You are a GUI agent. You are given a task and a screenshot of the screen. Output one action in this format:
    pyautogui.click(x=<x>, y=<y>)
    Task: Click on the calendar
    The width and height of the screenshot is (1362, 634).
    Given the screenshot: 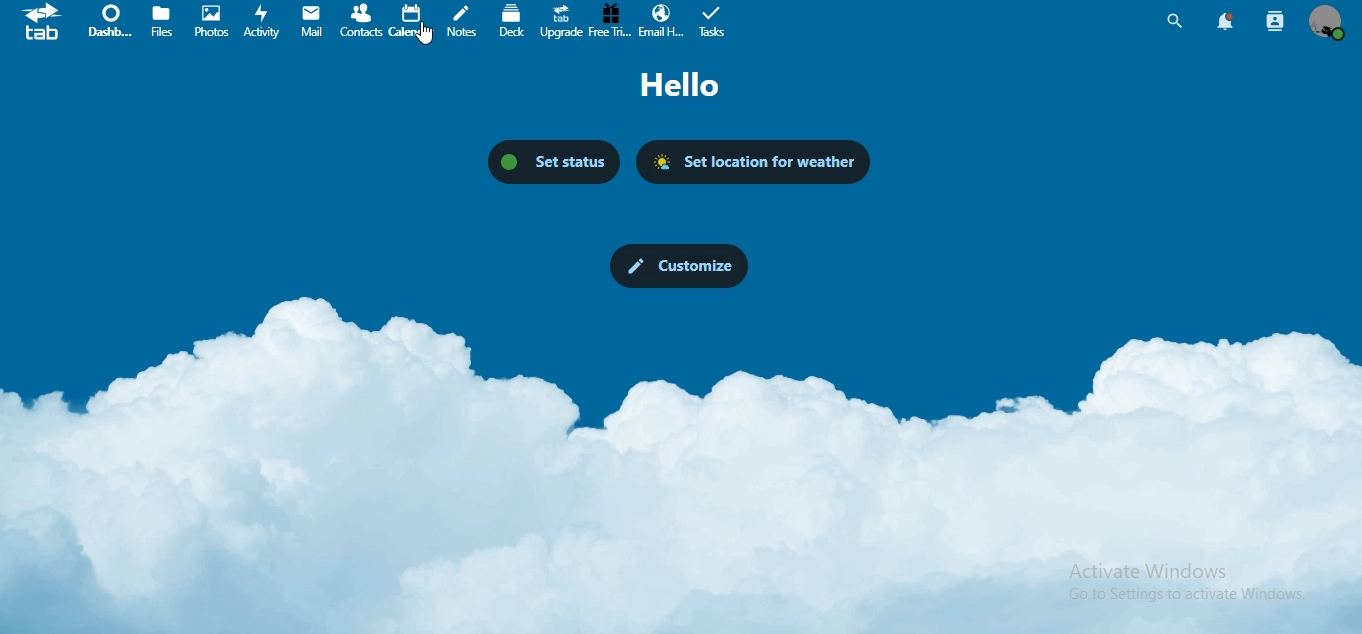 What is the action you would take?
    pyautogui.click(x=411, y=22)
    